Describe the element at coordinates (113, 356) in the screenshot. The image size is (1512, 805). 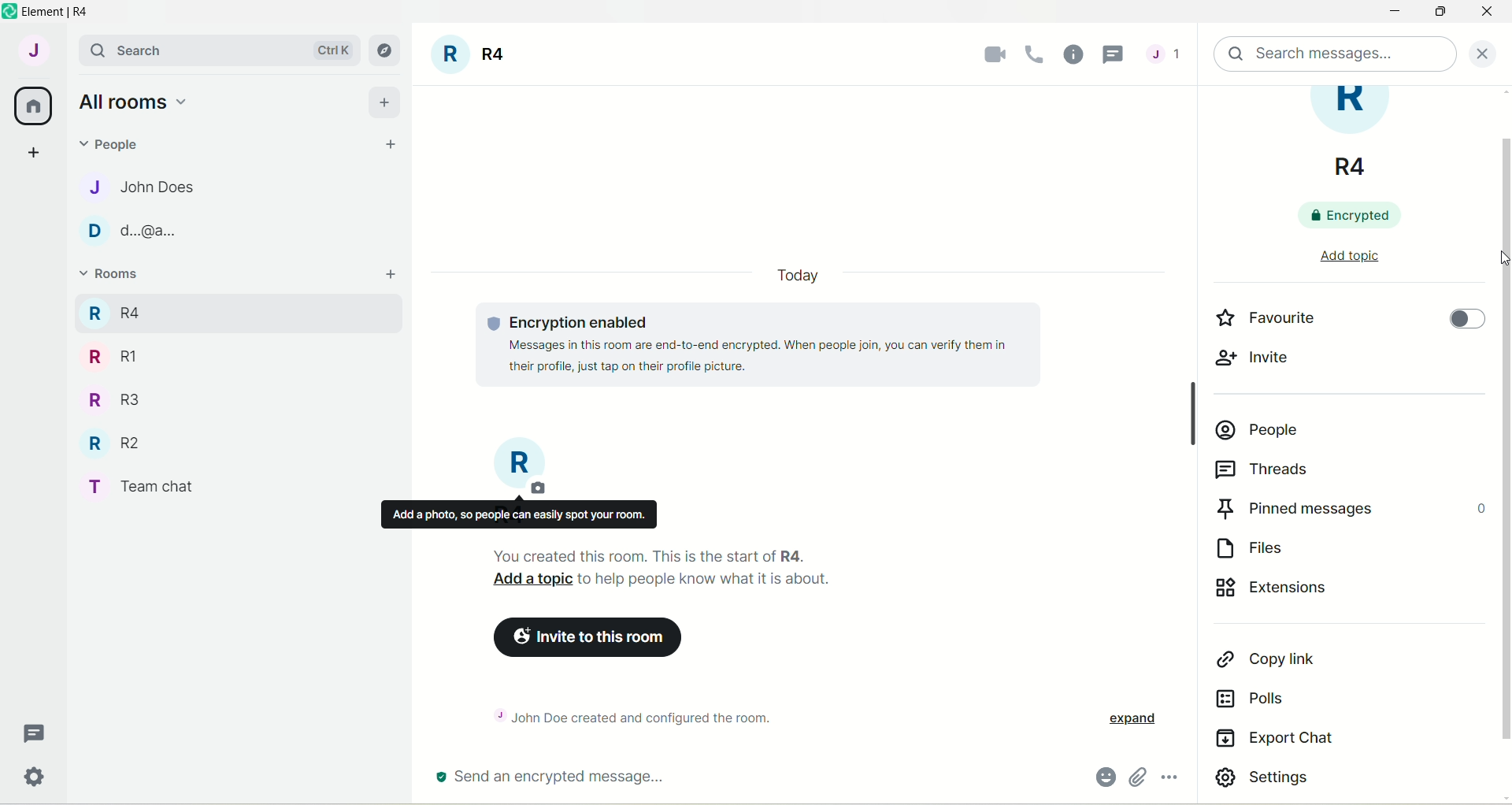
I see `R RI` at that location.